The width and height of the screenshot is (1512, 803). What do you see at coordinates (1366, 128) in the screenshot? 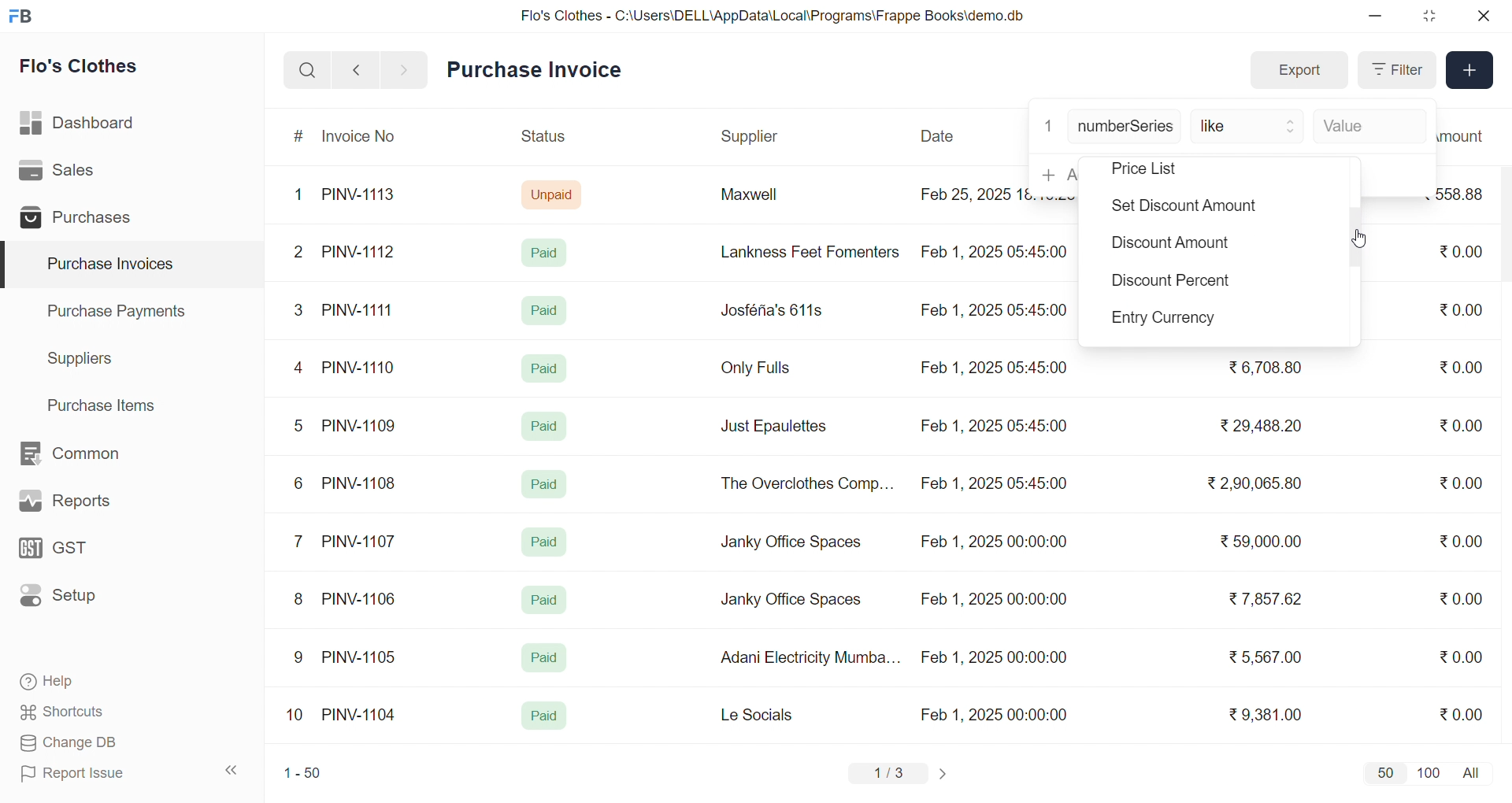
I see `Value` at bounding box center [1366, 128].